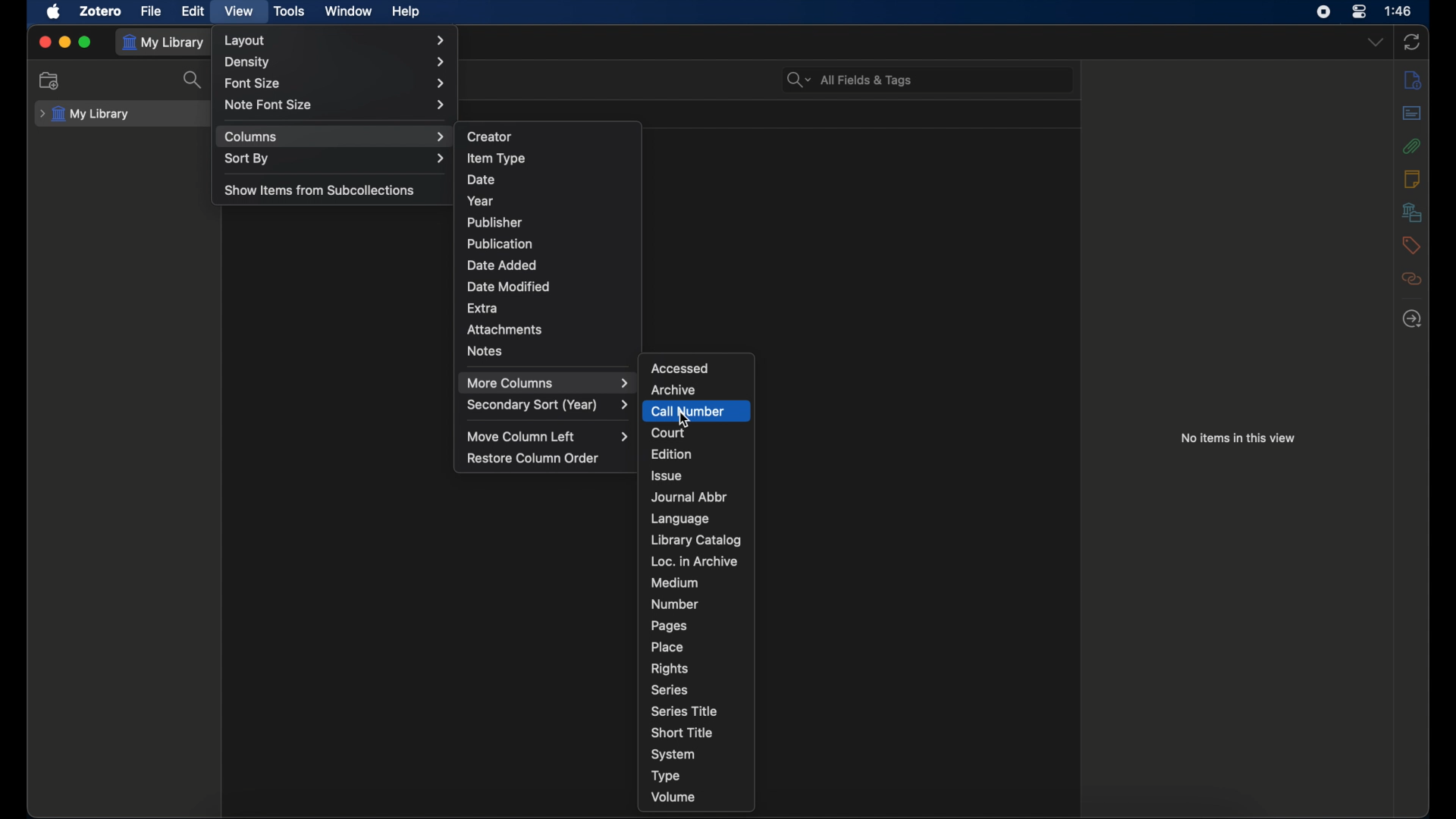 This screenshot has height=819, width=1456. I want to click on medium, so click(675, 582).